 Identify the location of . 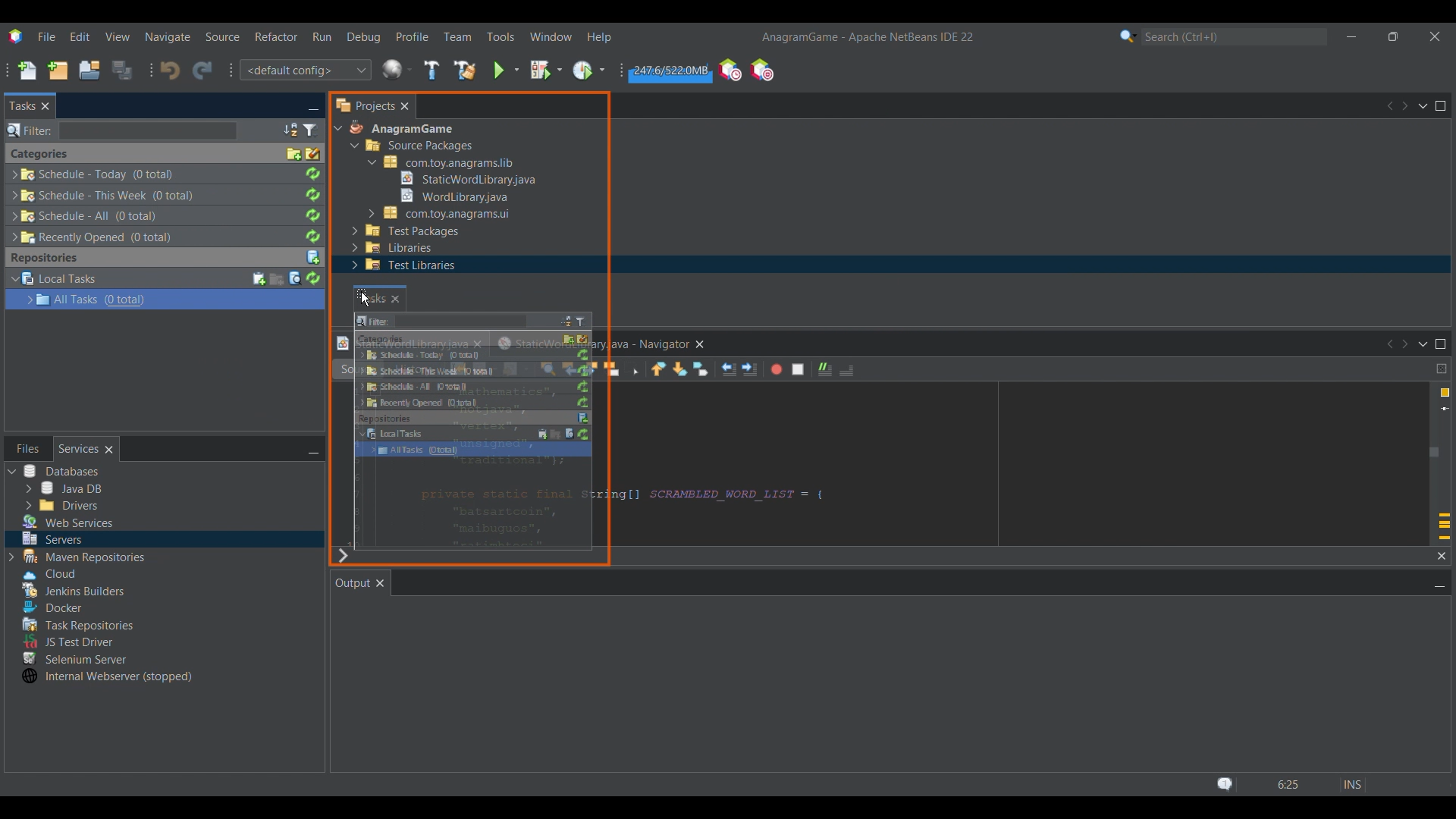
(105, 194).